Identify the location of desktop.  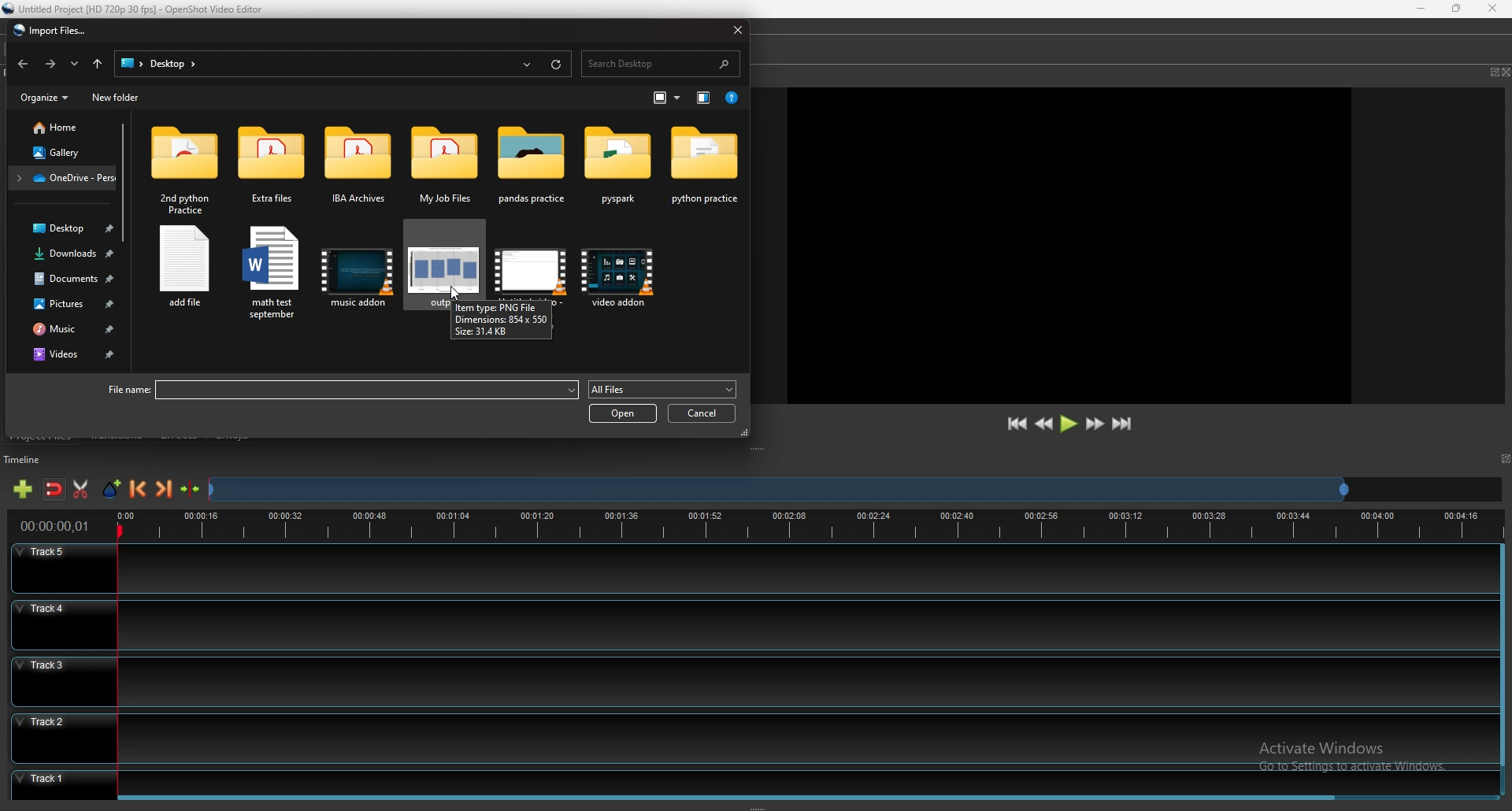
(62, 228).